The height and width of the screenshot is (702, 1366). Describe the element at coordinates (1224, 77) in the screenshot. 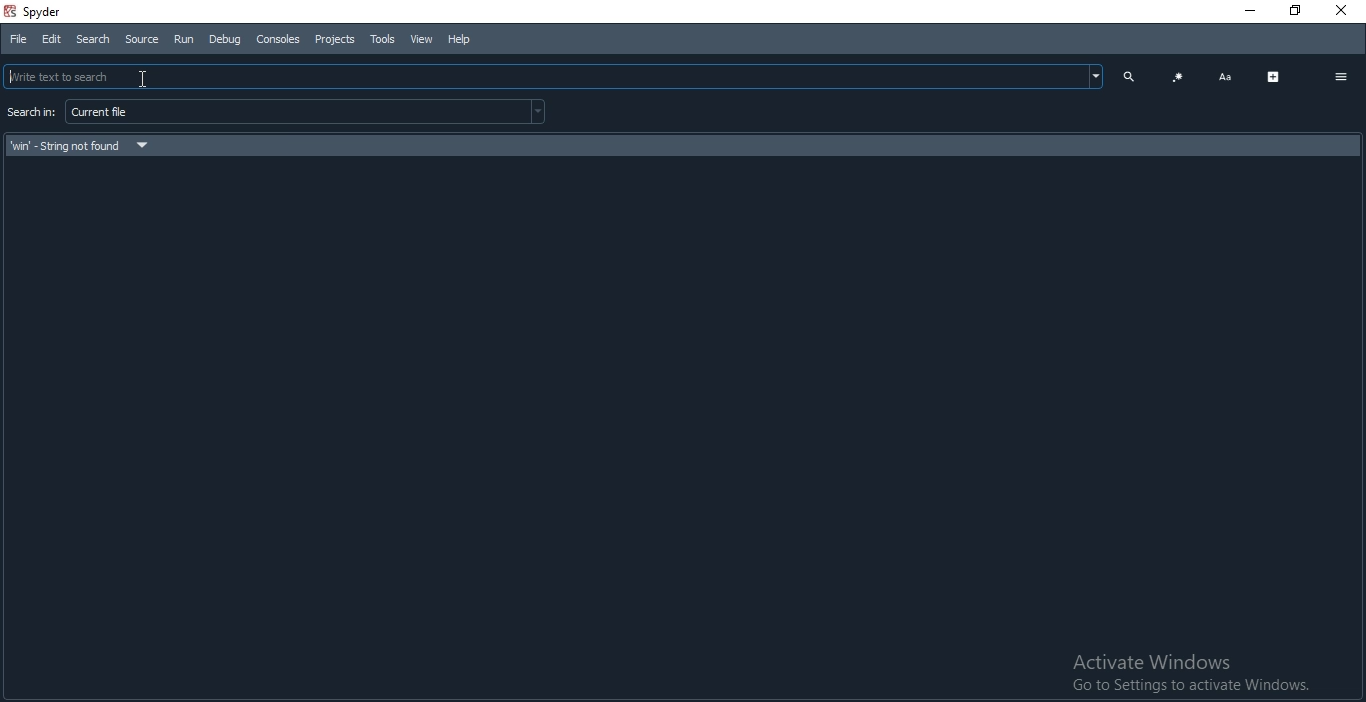

I see `font` at that location.